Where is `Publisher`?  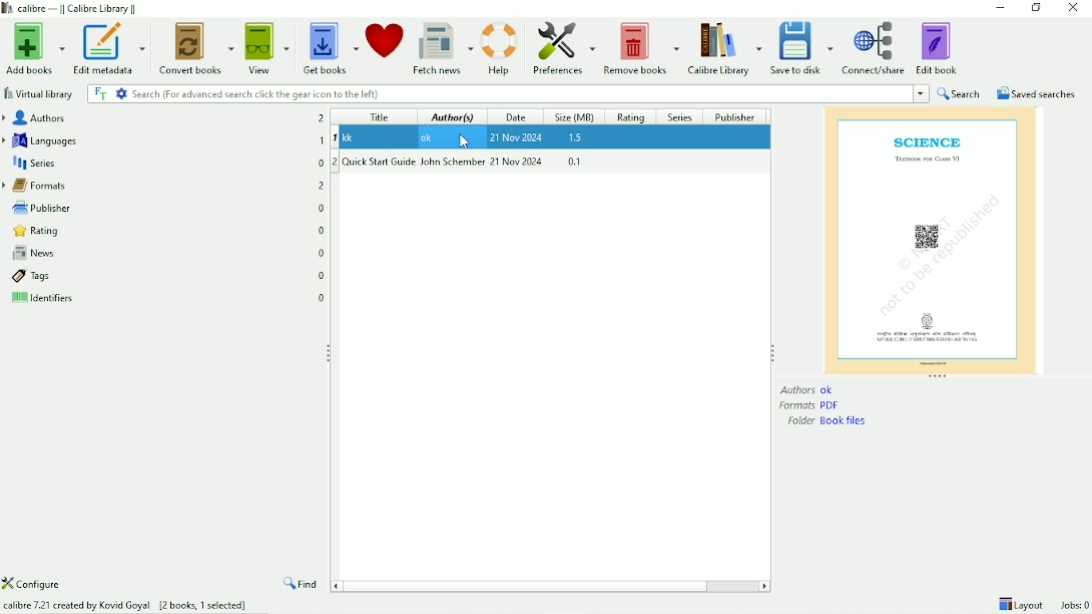
Publisher is located at coordinates (734, 116).